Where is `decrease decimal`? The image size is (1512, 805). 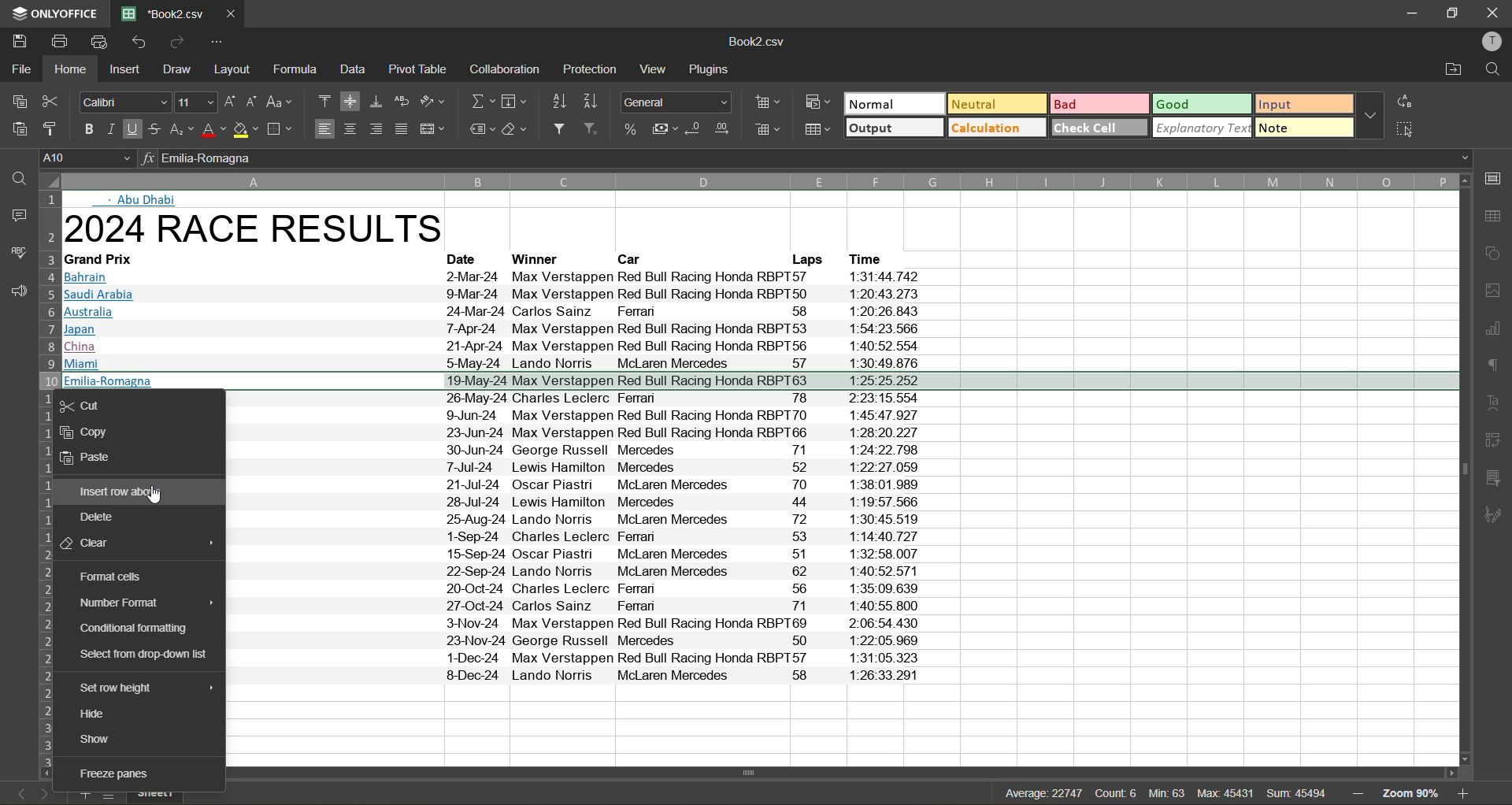 decrease decimal is located at coordinates (695, 131).